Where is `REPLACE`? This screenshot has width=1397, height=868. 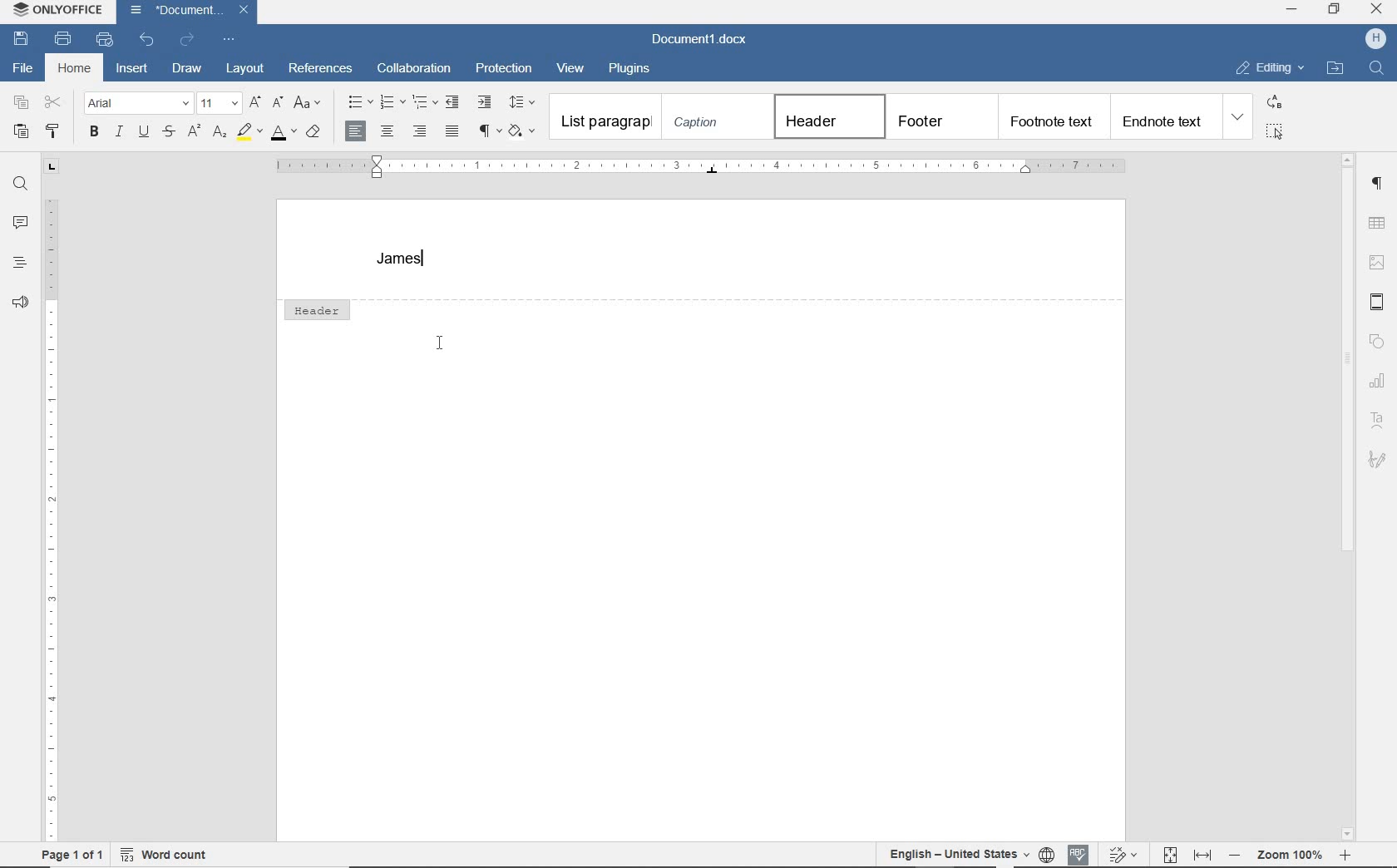 REPLACE is located at coordinates (1274, 104).